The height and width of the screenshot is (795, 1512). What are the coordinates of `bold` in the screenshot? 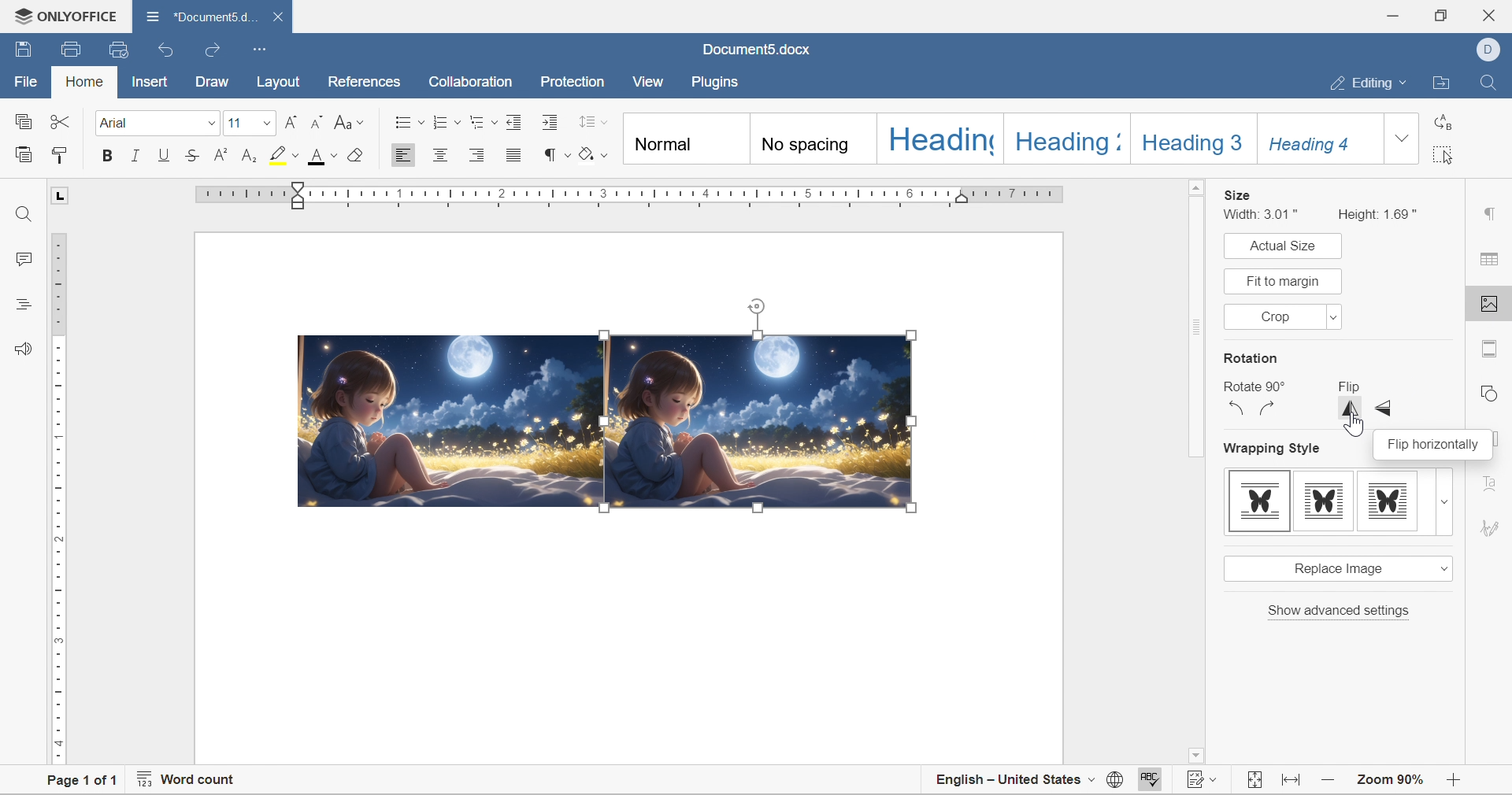 It's located at (107, 155).